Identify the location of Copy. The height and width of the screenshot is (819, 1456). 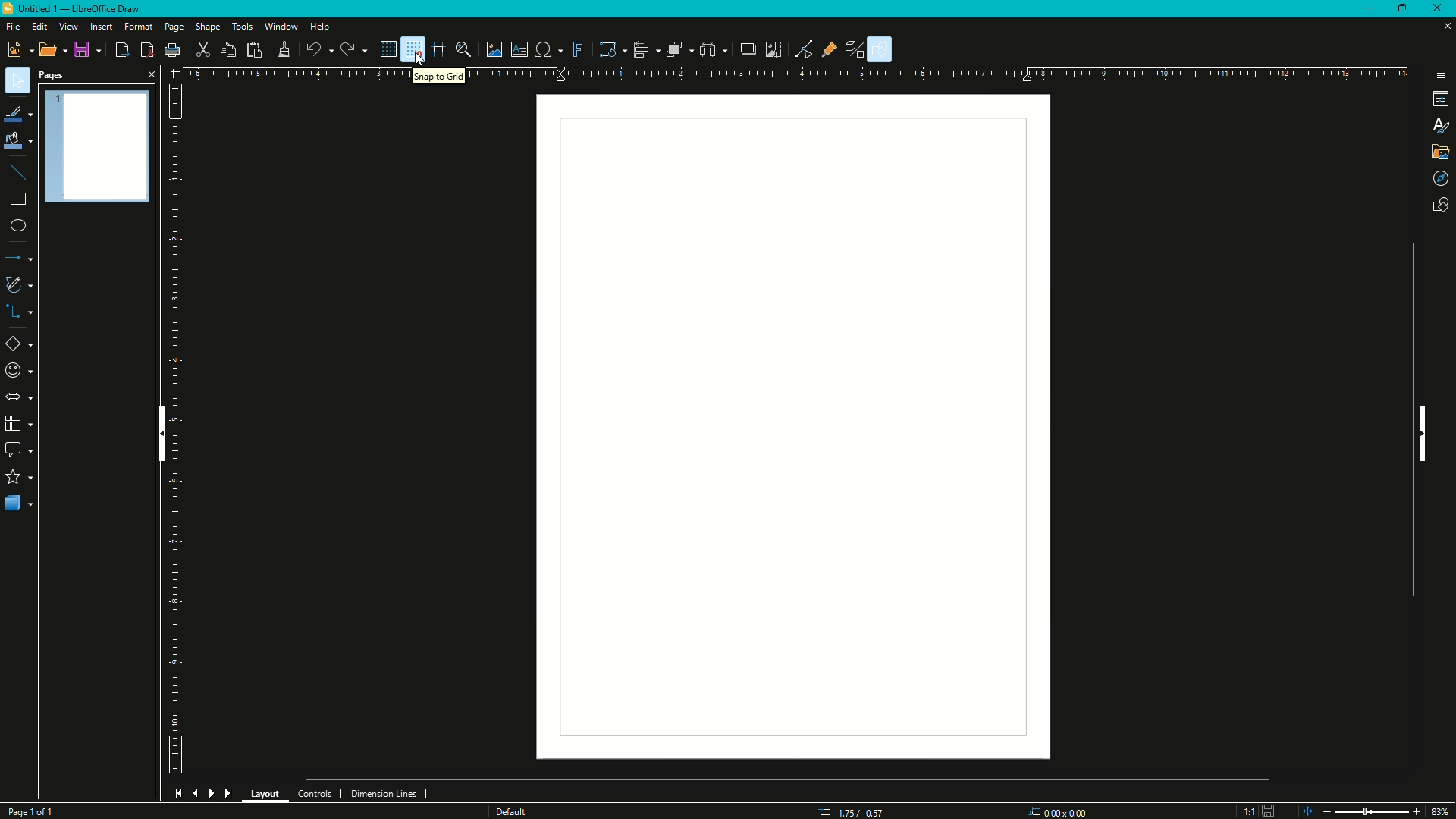
(231, 51).